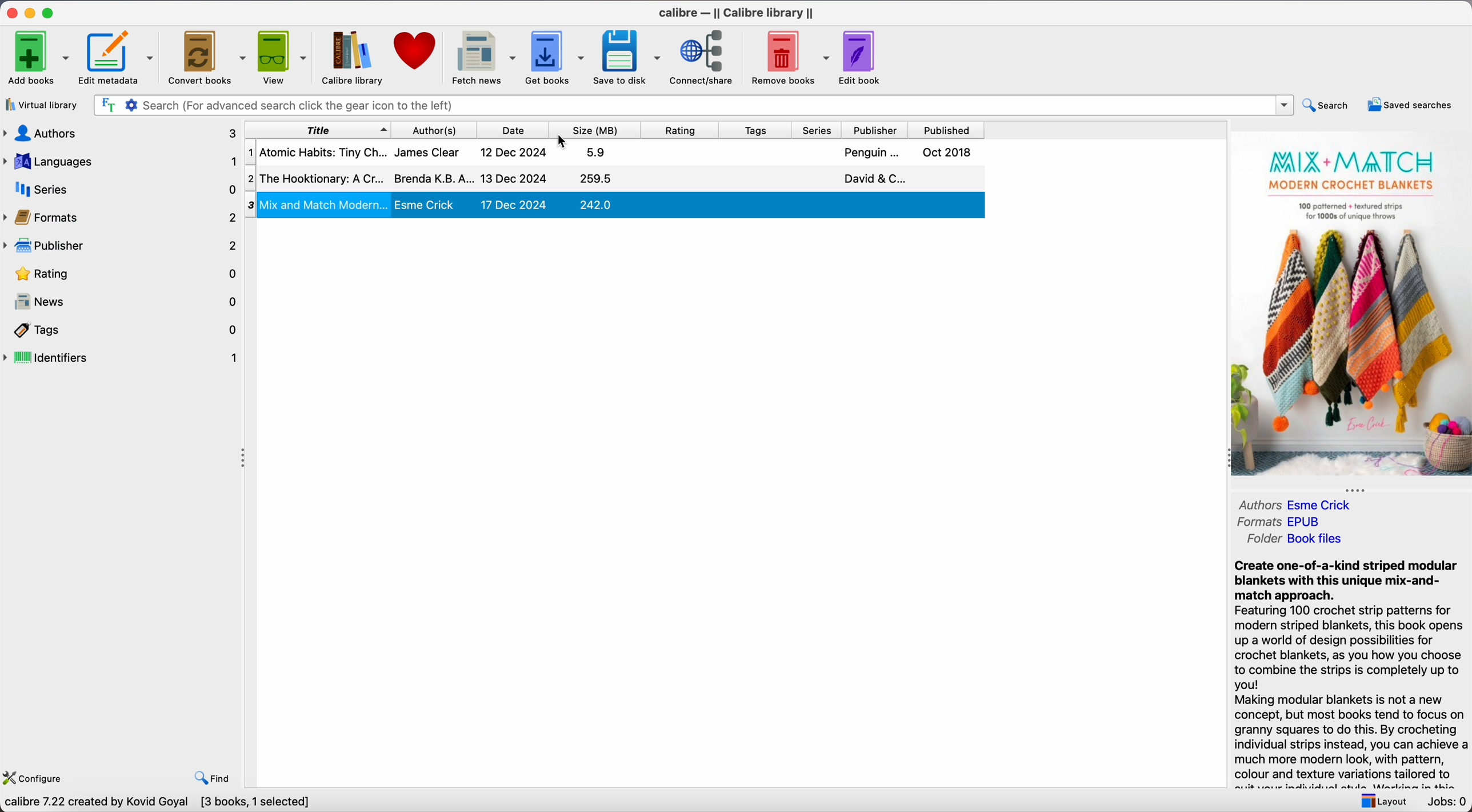 This screenshot has width=1472, height=812. I want to click on Calibre library, so click(353, 59).